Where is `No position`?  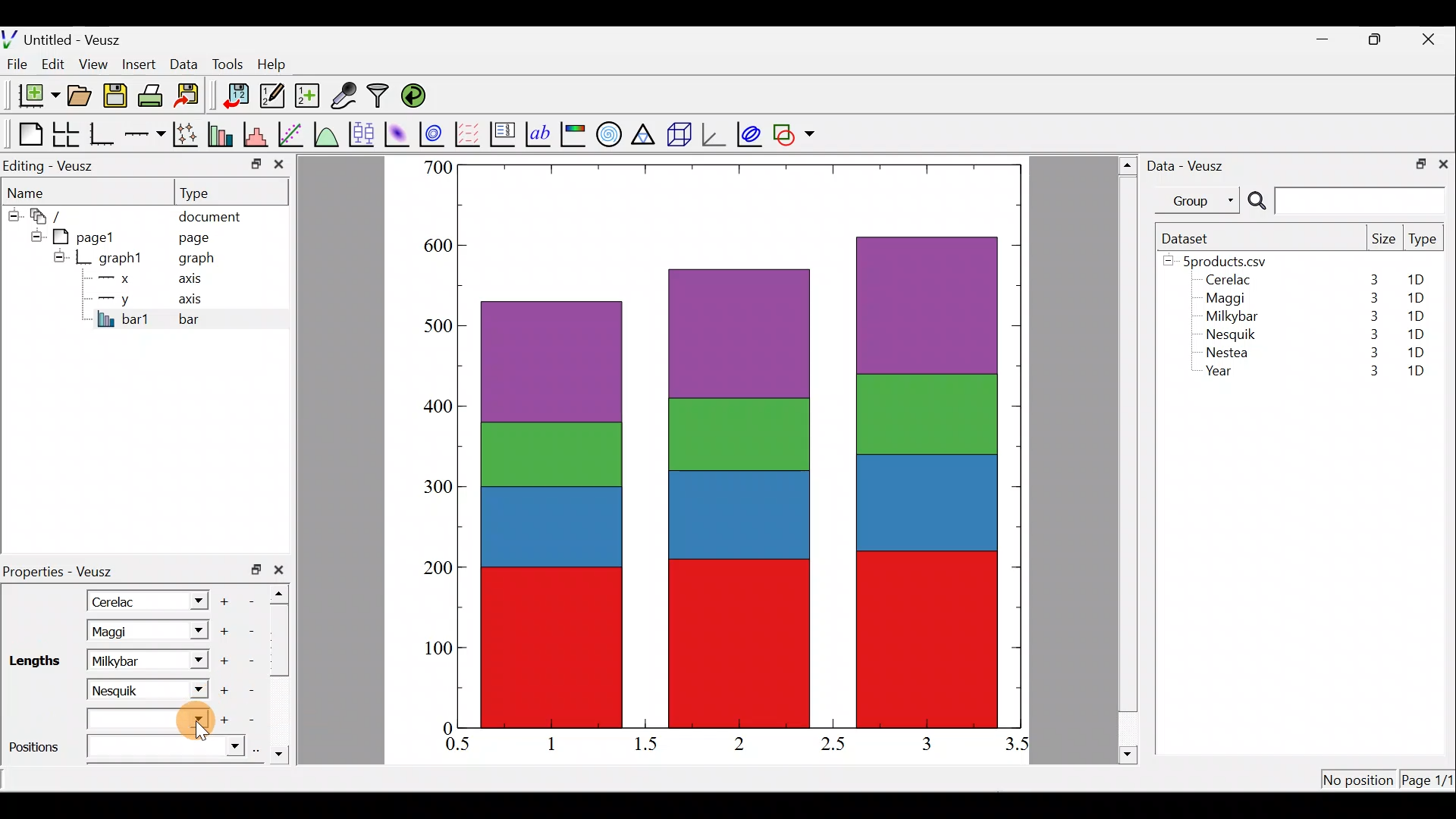
No position is located at coordinates (1359, 781).